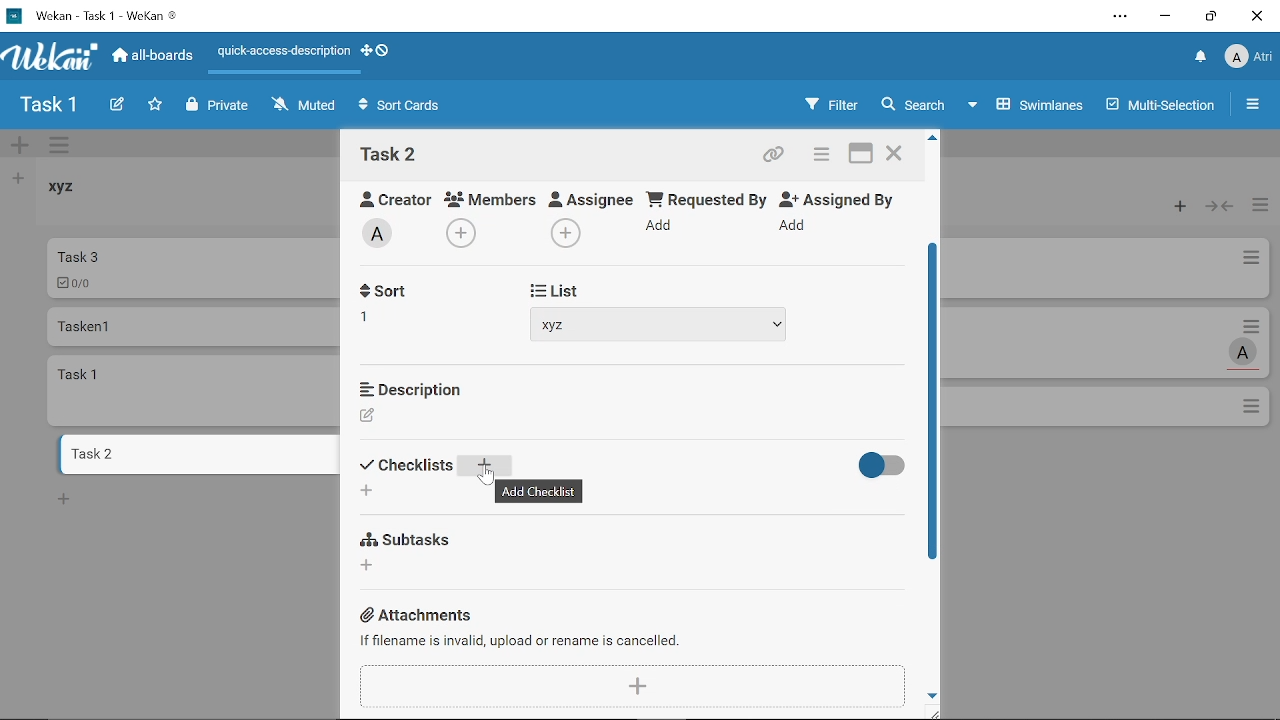 The height and width of the screenshot is (720, 1280). I want to click on Click here to star this board, so click(155, 106).